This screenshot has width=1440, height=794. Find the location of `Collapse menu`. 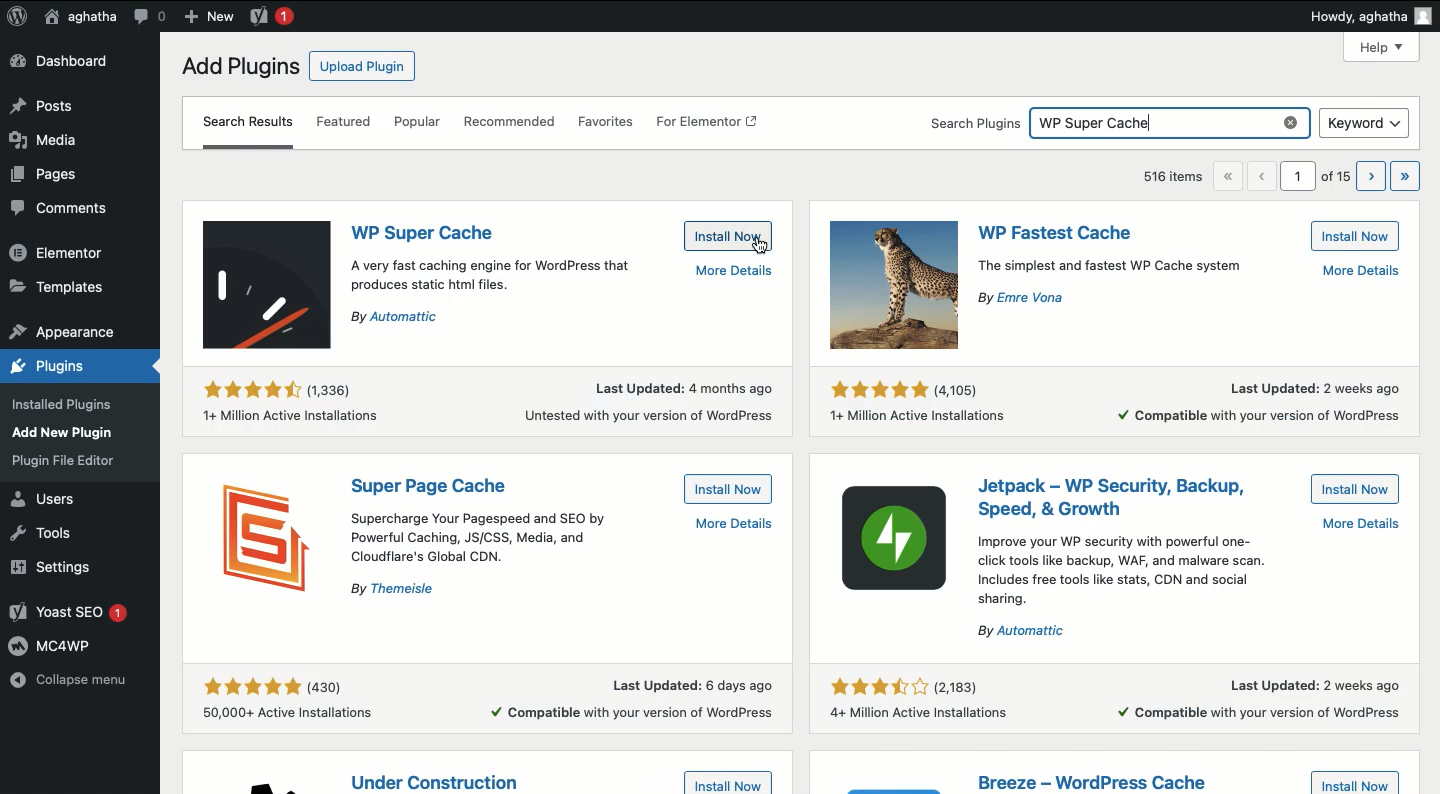

Collapse menu is located at coordinates (71, 678).